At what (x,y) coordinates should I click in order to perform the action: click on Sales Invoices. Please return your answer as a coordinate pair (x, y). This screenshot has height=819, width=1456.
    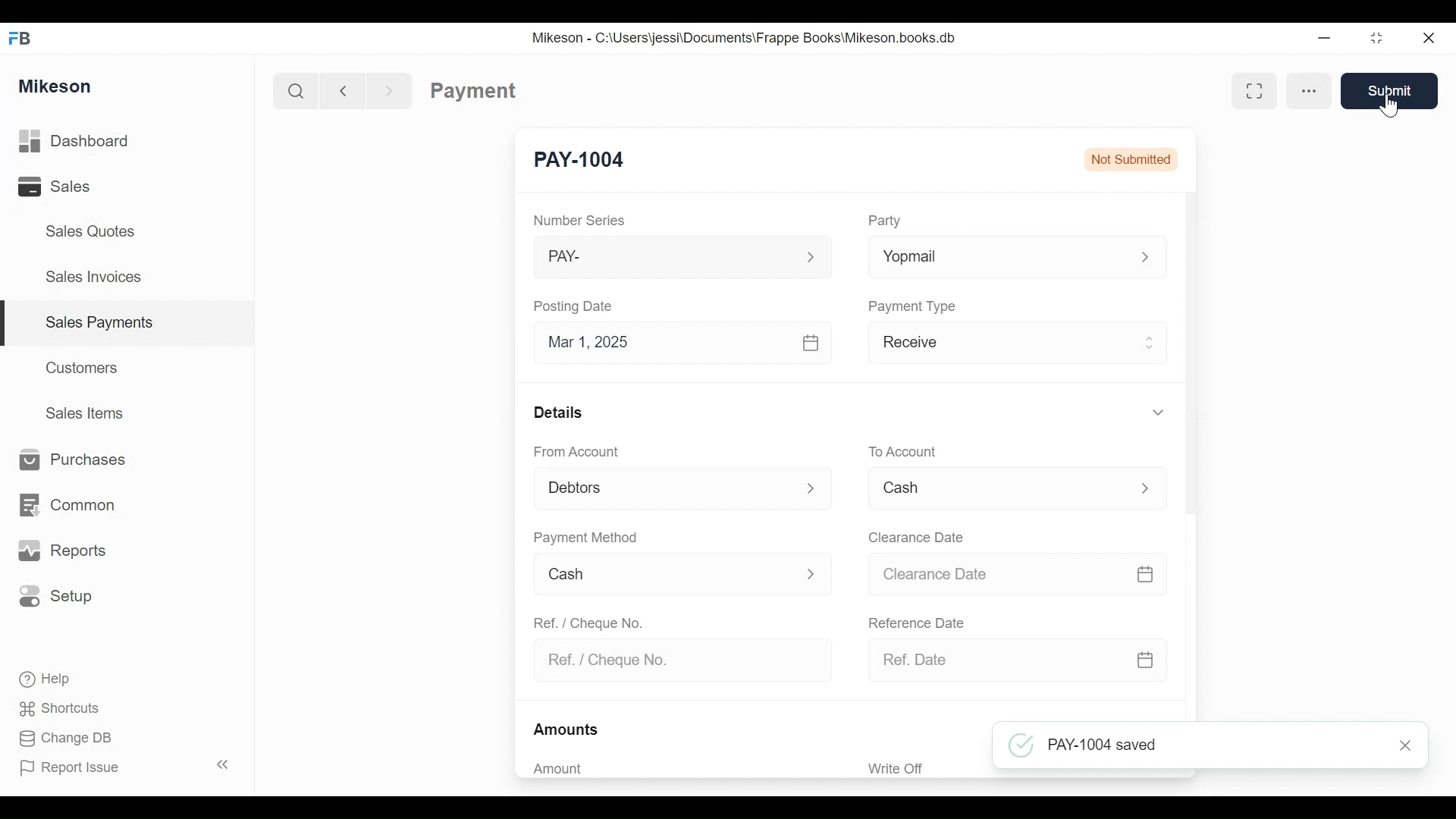
    Looking at the image, I should click on (88, 278).